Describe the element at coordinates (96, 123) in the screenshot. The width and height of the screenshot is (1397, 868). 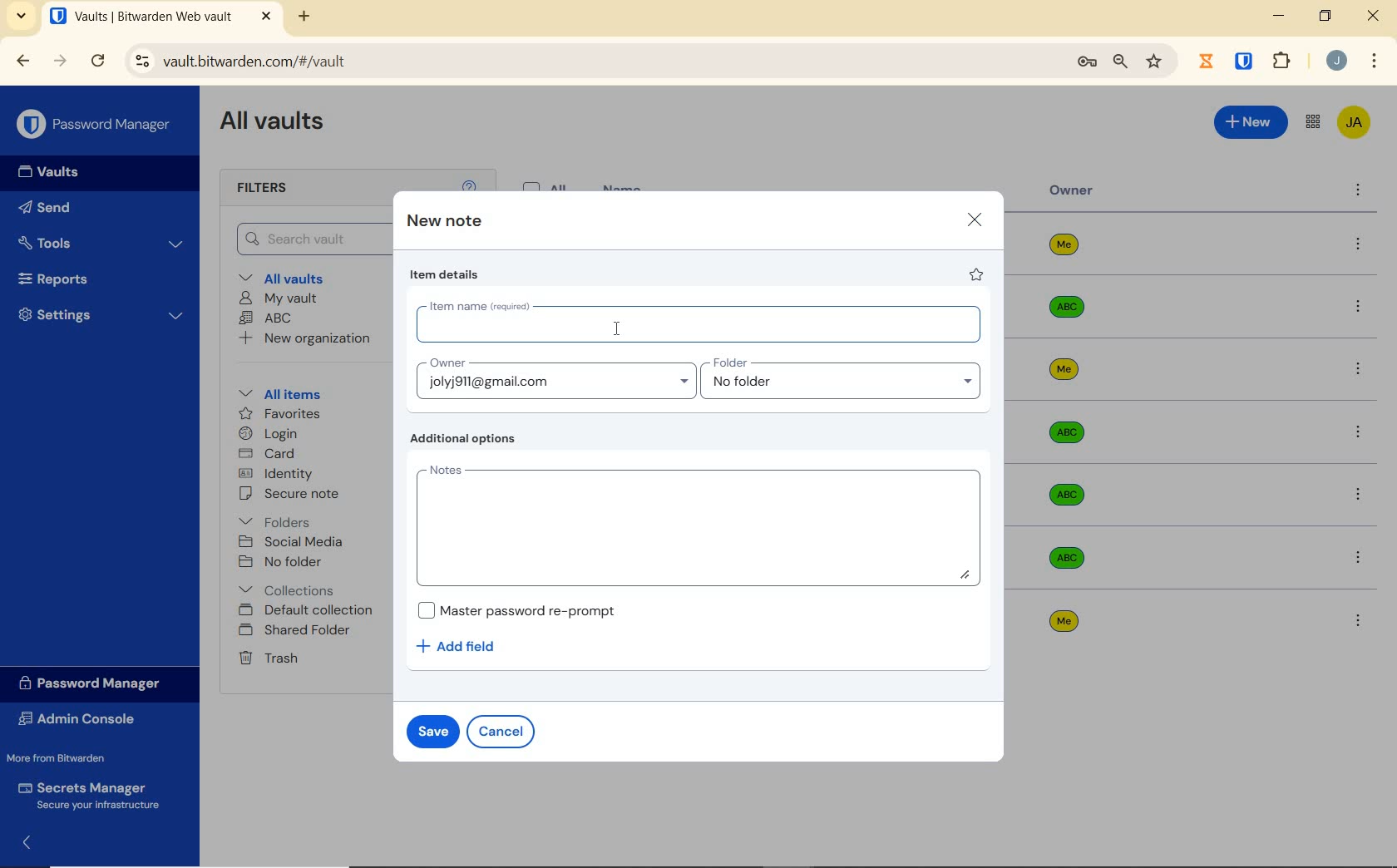
I see `Password Manager` at that location.